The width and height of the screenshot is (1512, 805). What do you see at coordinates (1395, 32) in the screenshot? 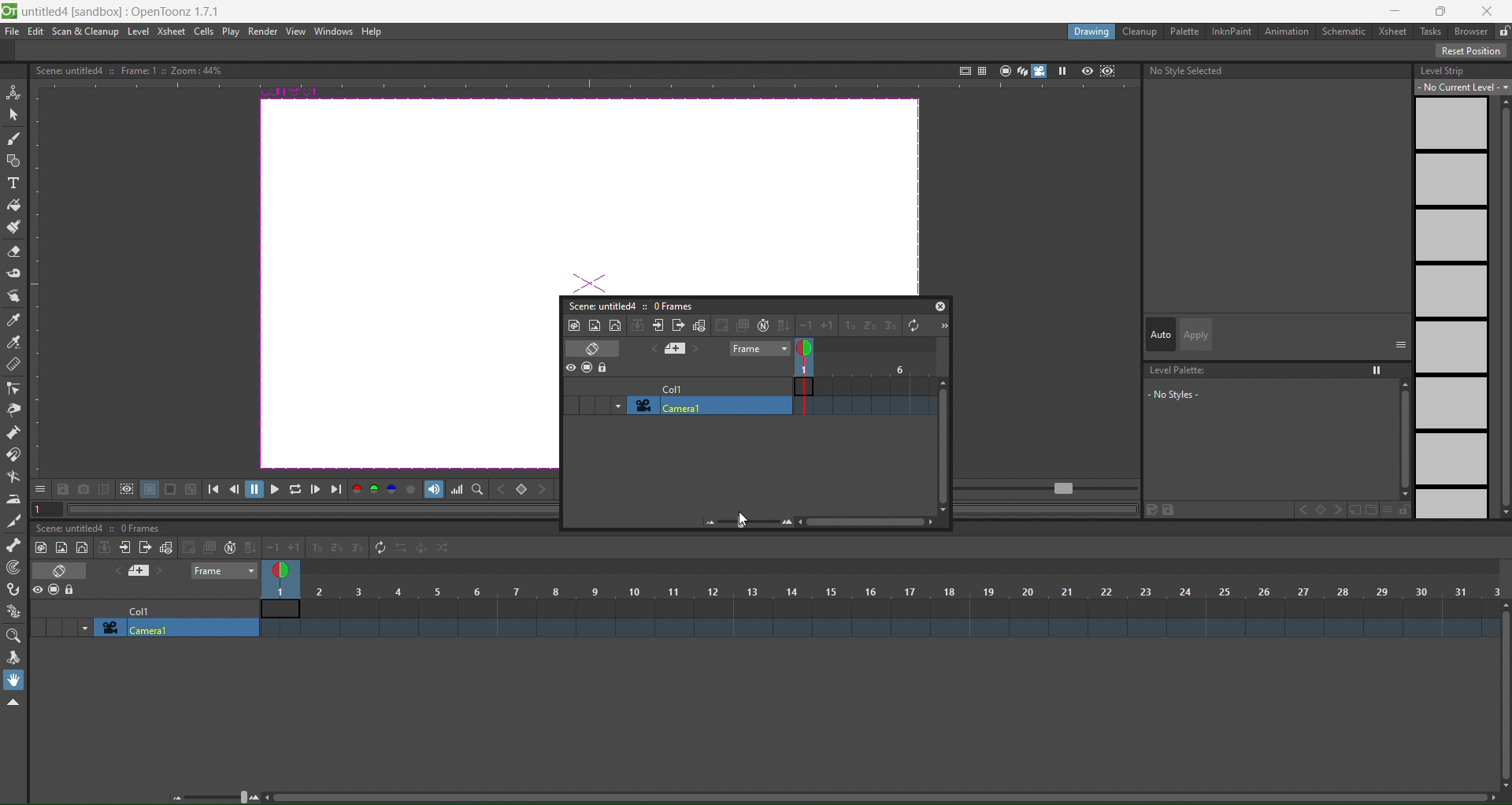
I see `xsheet` at bounding box center [1395, 32].